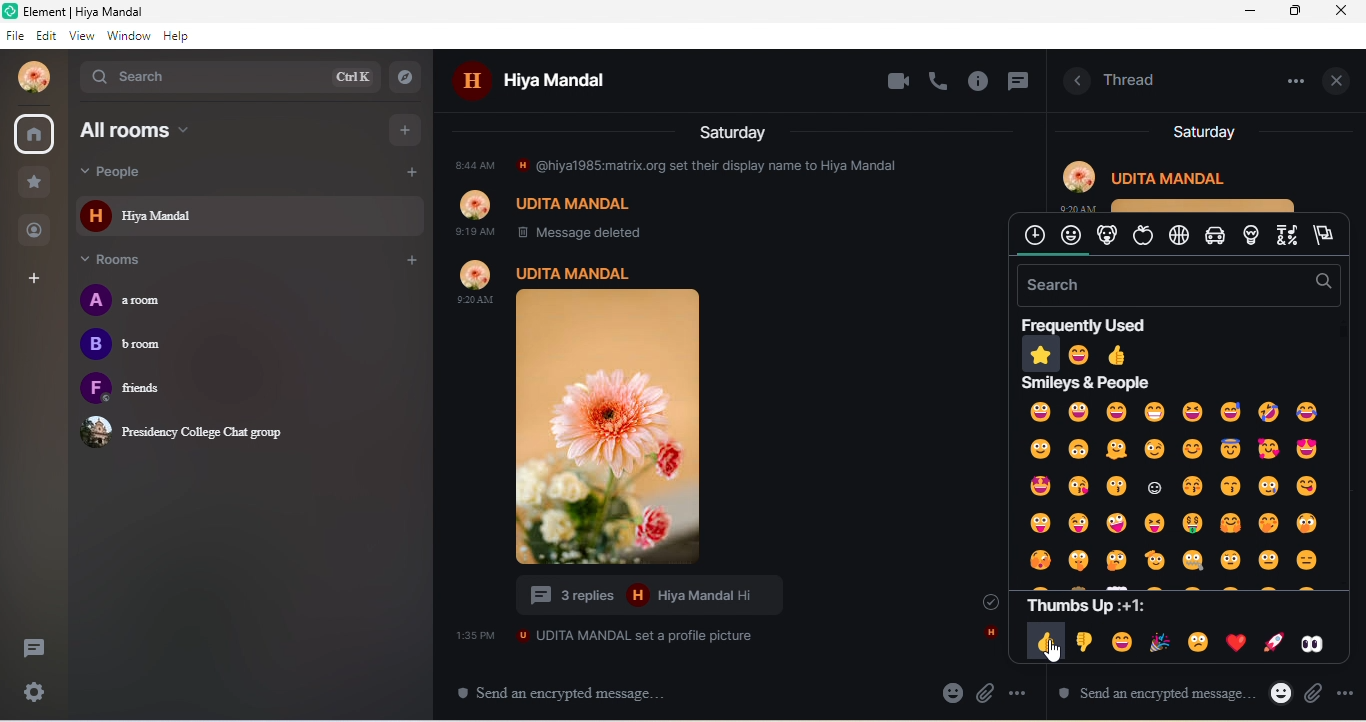 The height and width of the screenshot is (722, 1366). What do you see at coordinates (37, 693) in the screenshot?
I see `settings` at bounding box center [37, 693].